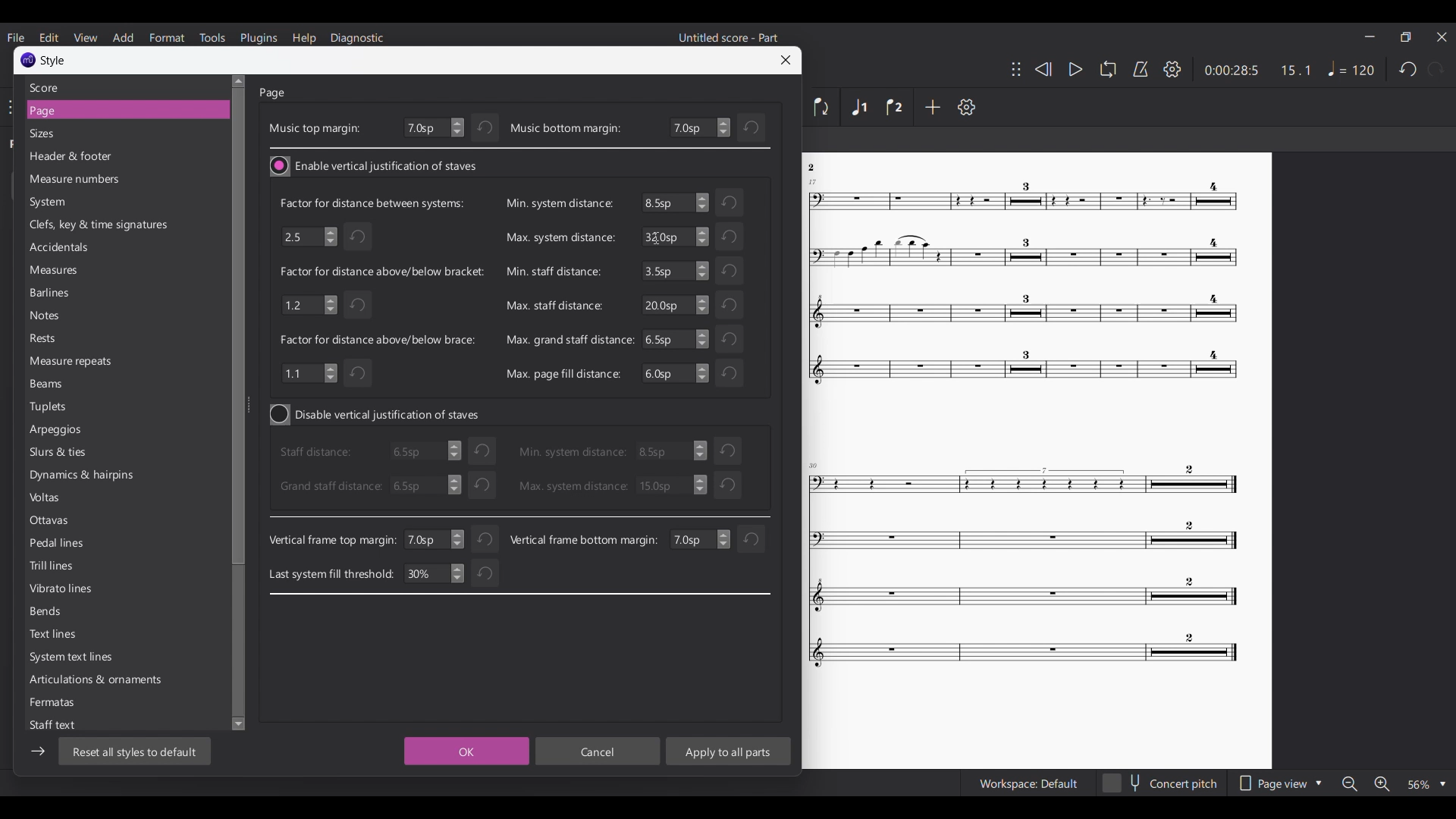  Describe the element at coordinates (332, 574) in the screenshot. I see `Last system fill threshold` at that location.